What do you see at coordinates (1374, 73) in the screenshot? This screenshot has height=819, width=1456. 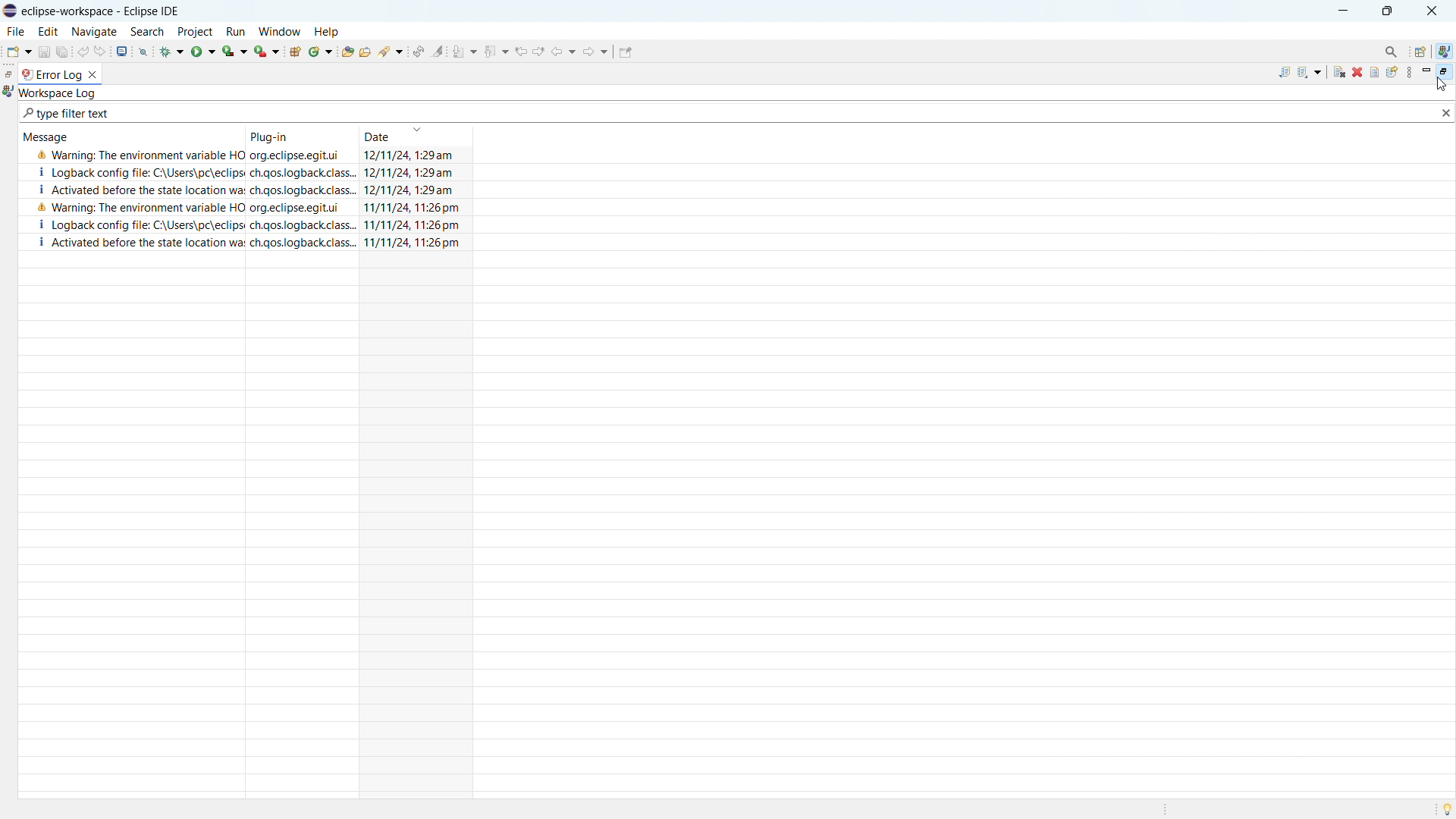 I see `open log` at bounding box center [1374, 73].